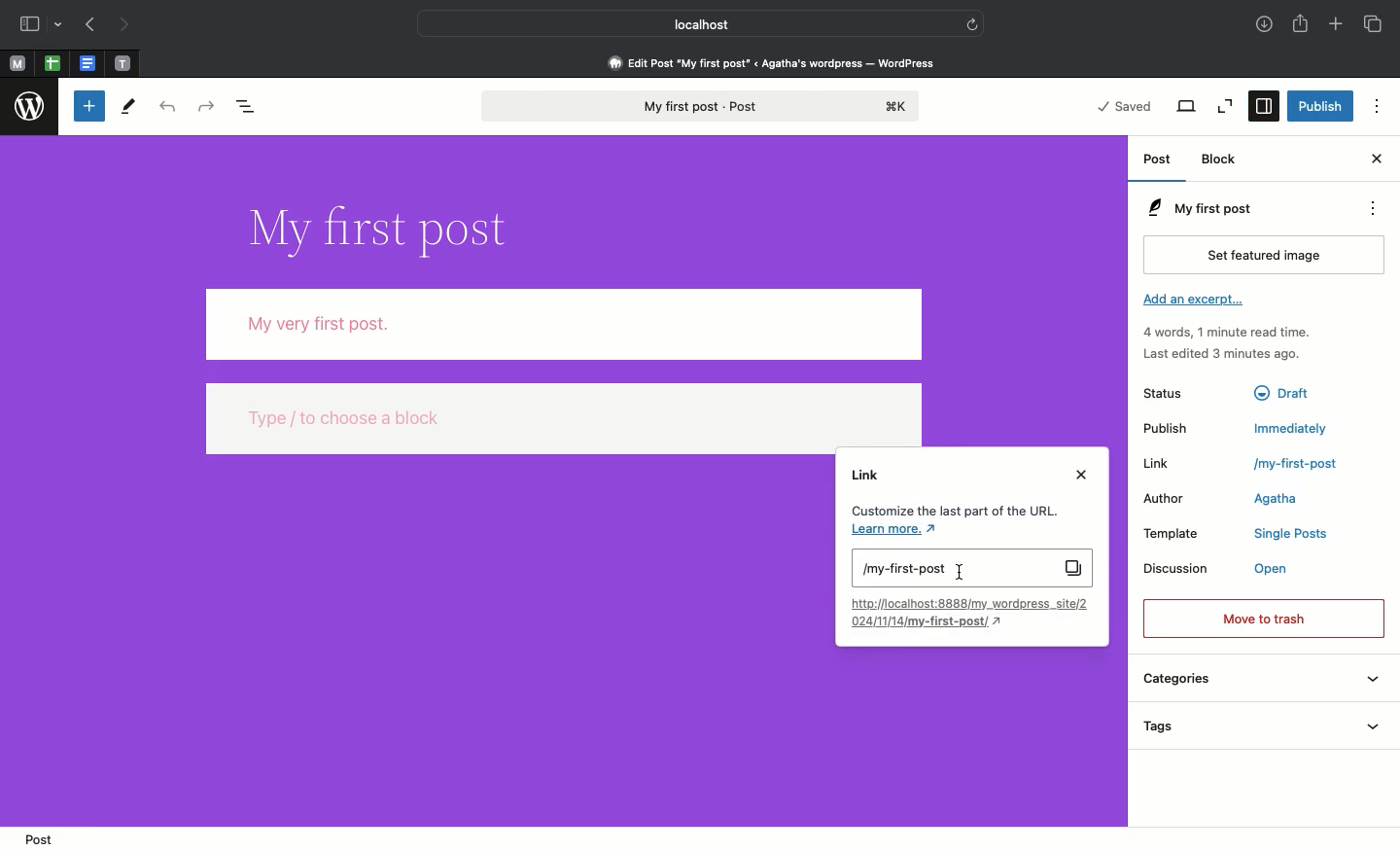 The height and width of the screenshot is (850, 1400). I want to click on Block, so click(1226, 160).